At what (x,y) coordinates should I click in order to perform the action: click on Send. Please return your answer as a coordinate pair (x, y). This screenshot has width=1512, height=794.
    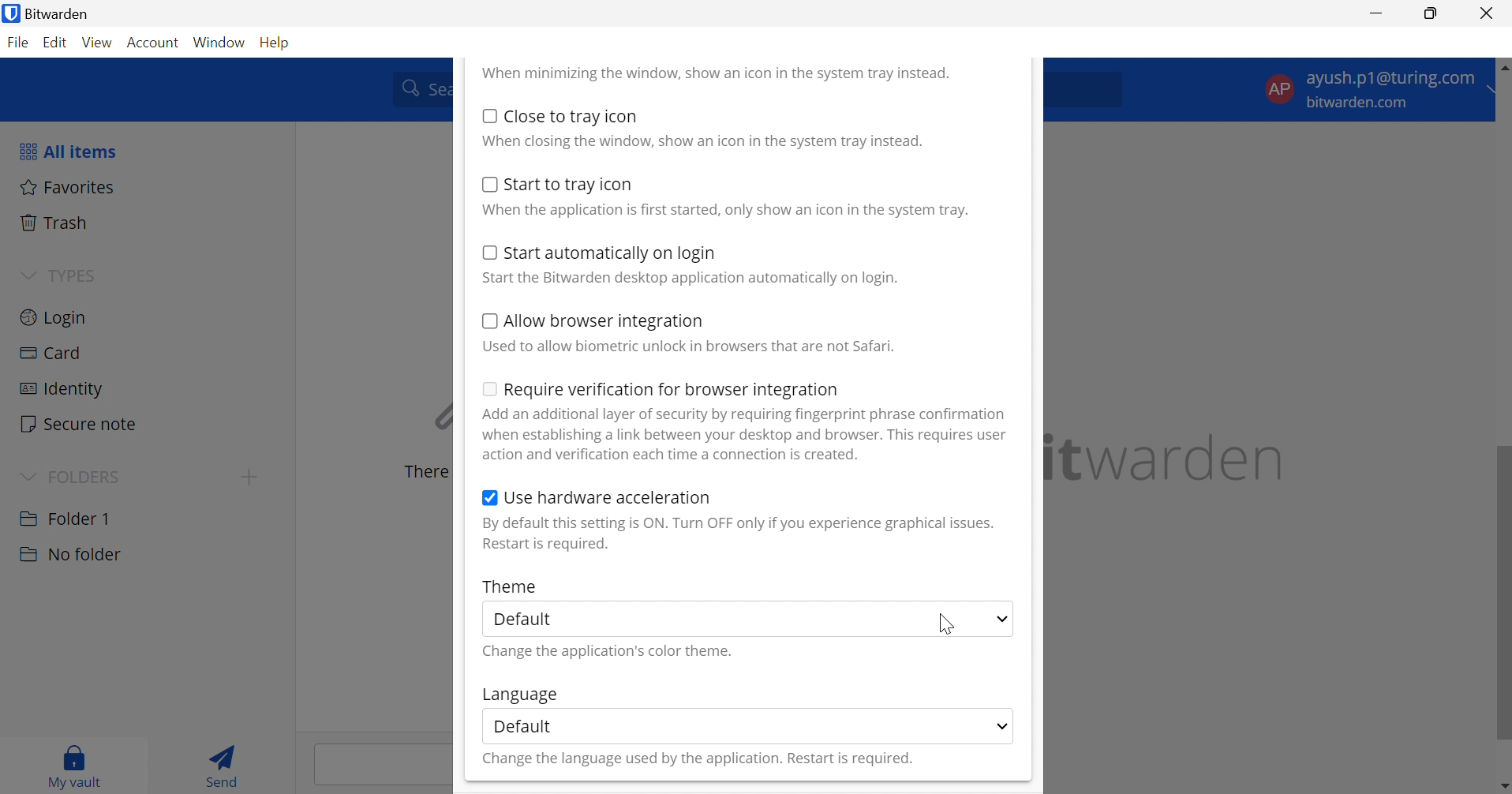
    Looking at the image, I should click on (227, 764).